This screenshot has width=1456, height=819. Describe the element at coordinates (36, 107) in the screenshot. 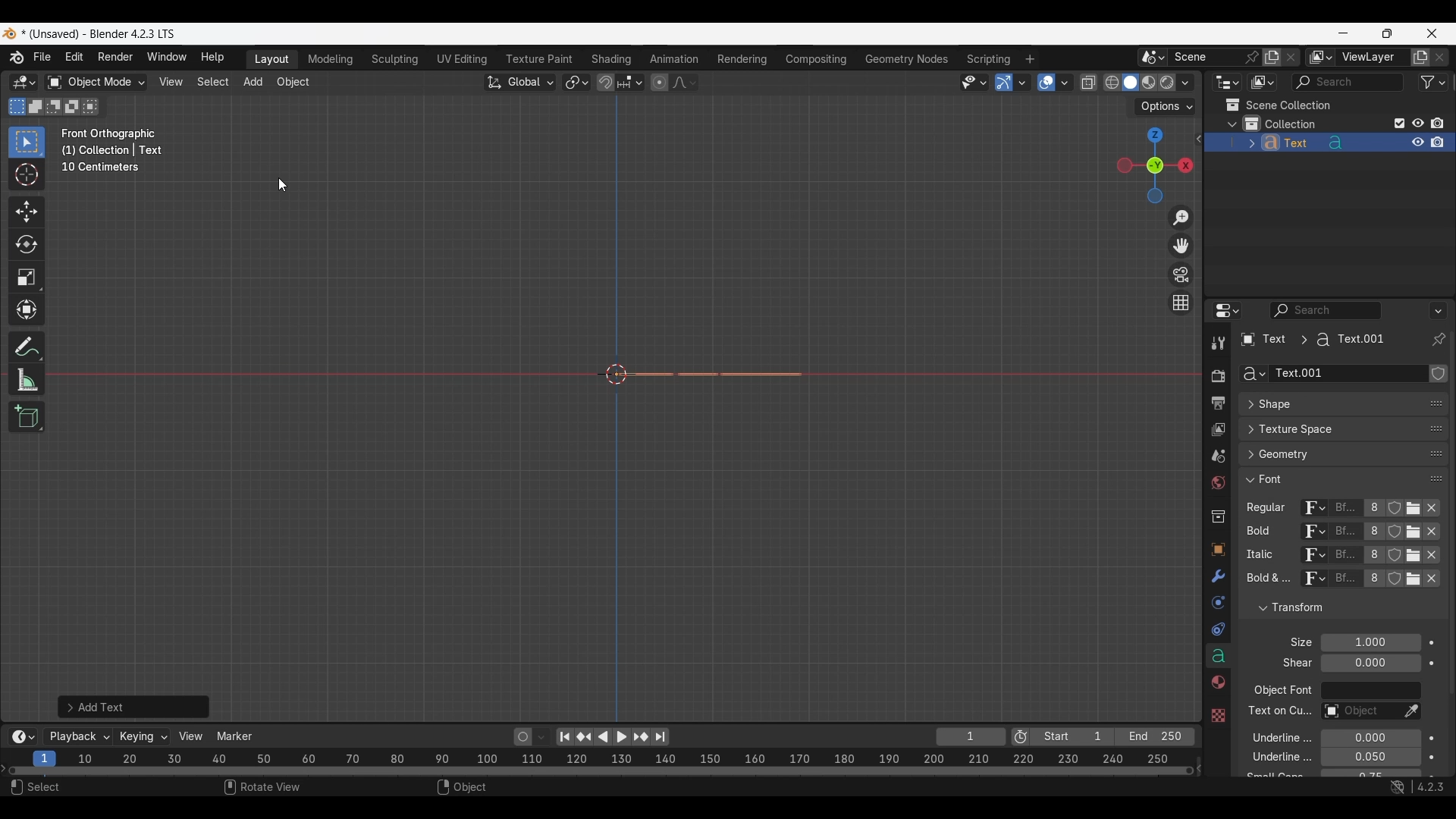

I see `Extend existing selection` at that location.